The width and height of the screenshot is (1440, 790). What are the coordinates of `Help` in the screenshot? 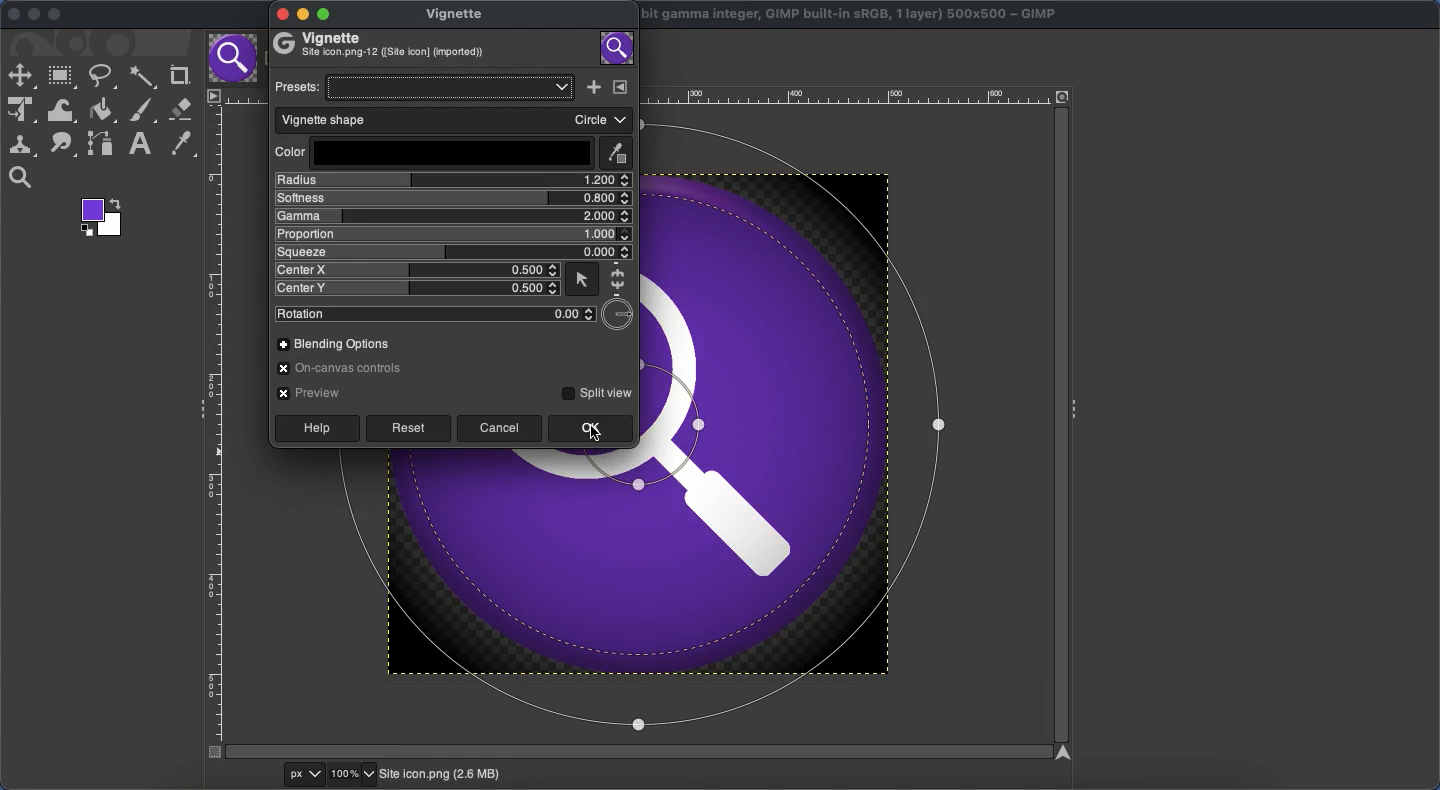 It's located at (319, 429).